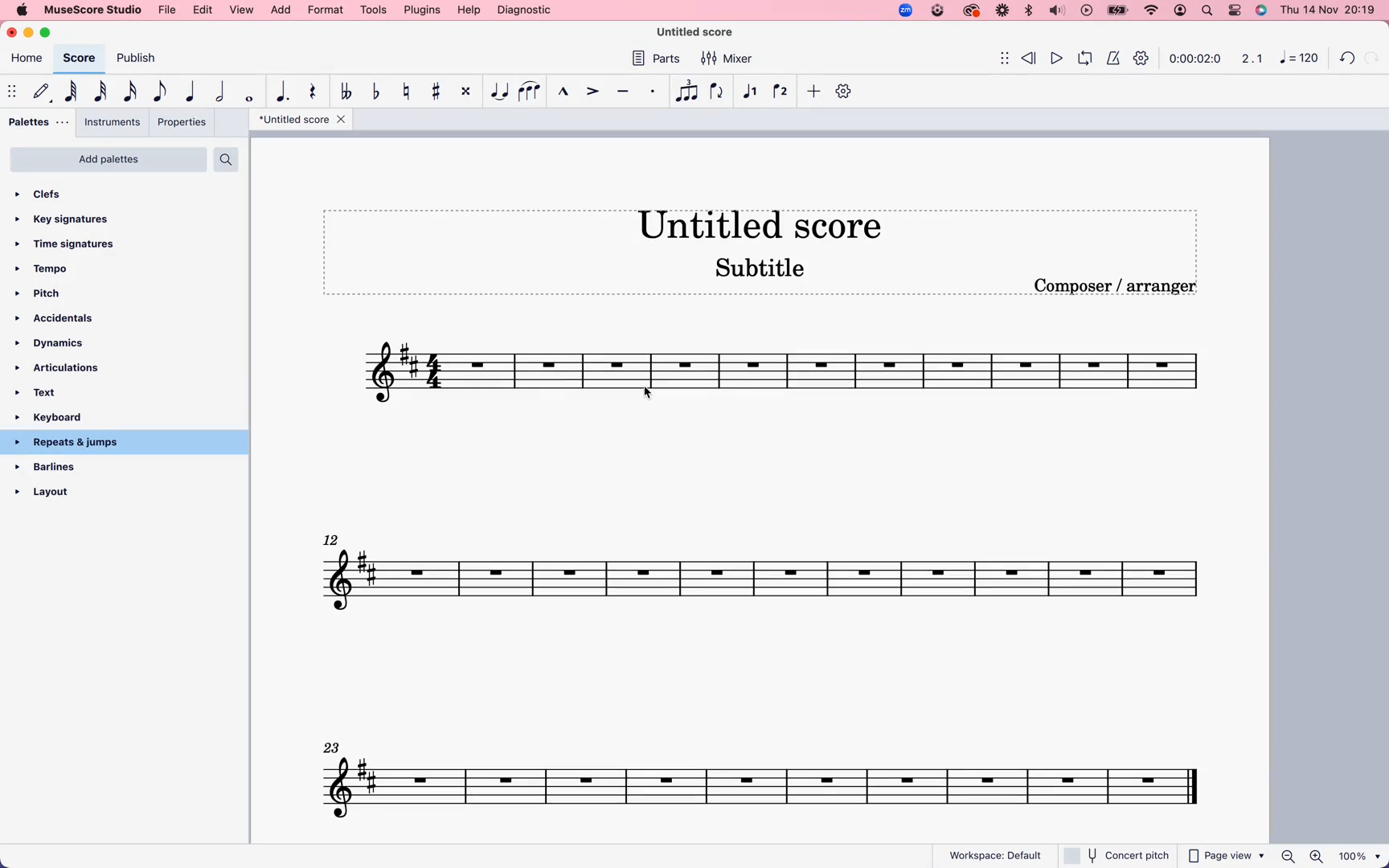  I want to click on score, so click(768, 570).